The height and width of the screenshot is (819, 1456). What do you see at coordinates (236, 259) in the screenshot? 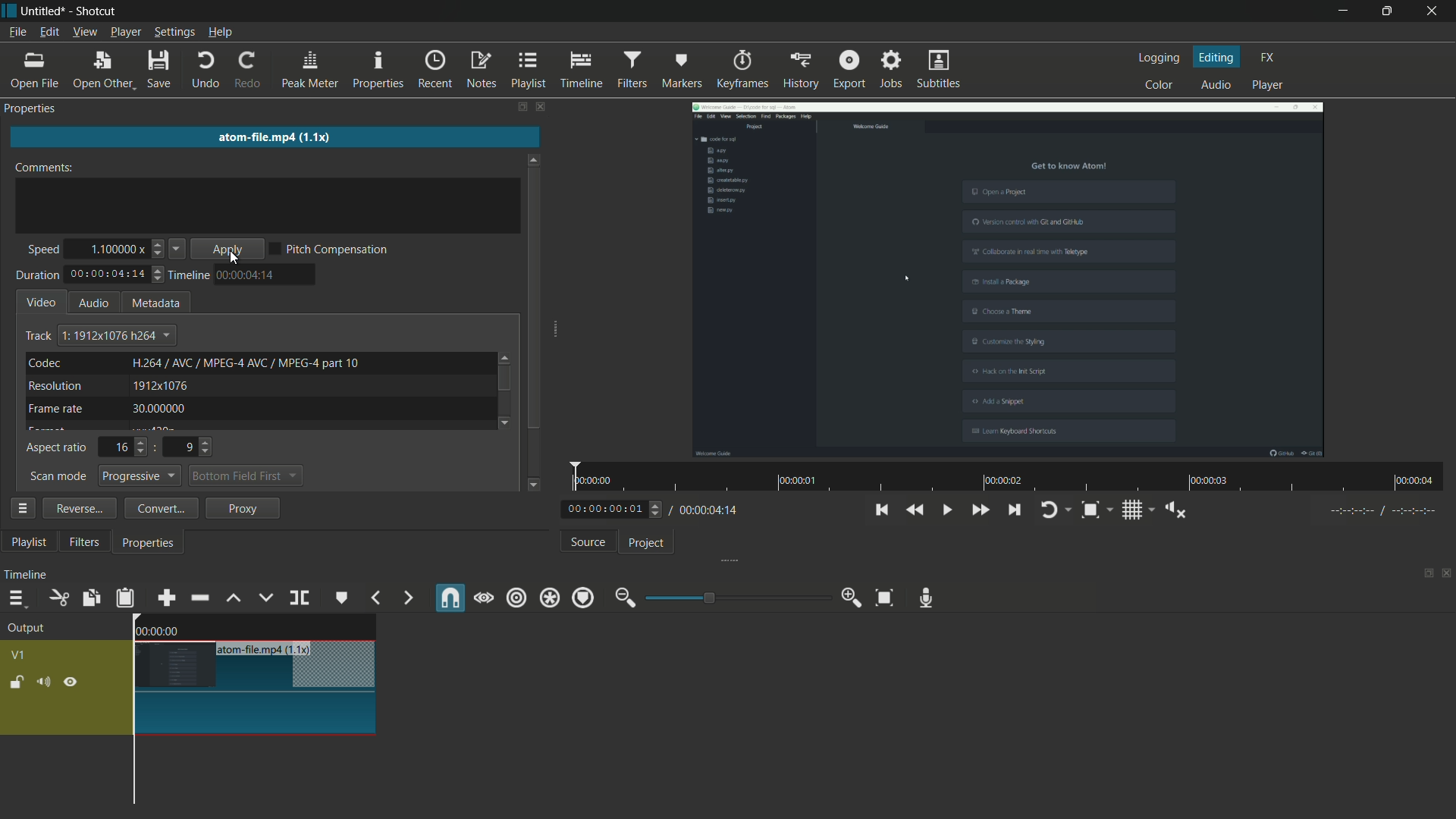
I see `cursor` at bounding box center [236, 259].